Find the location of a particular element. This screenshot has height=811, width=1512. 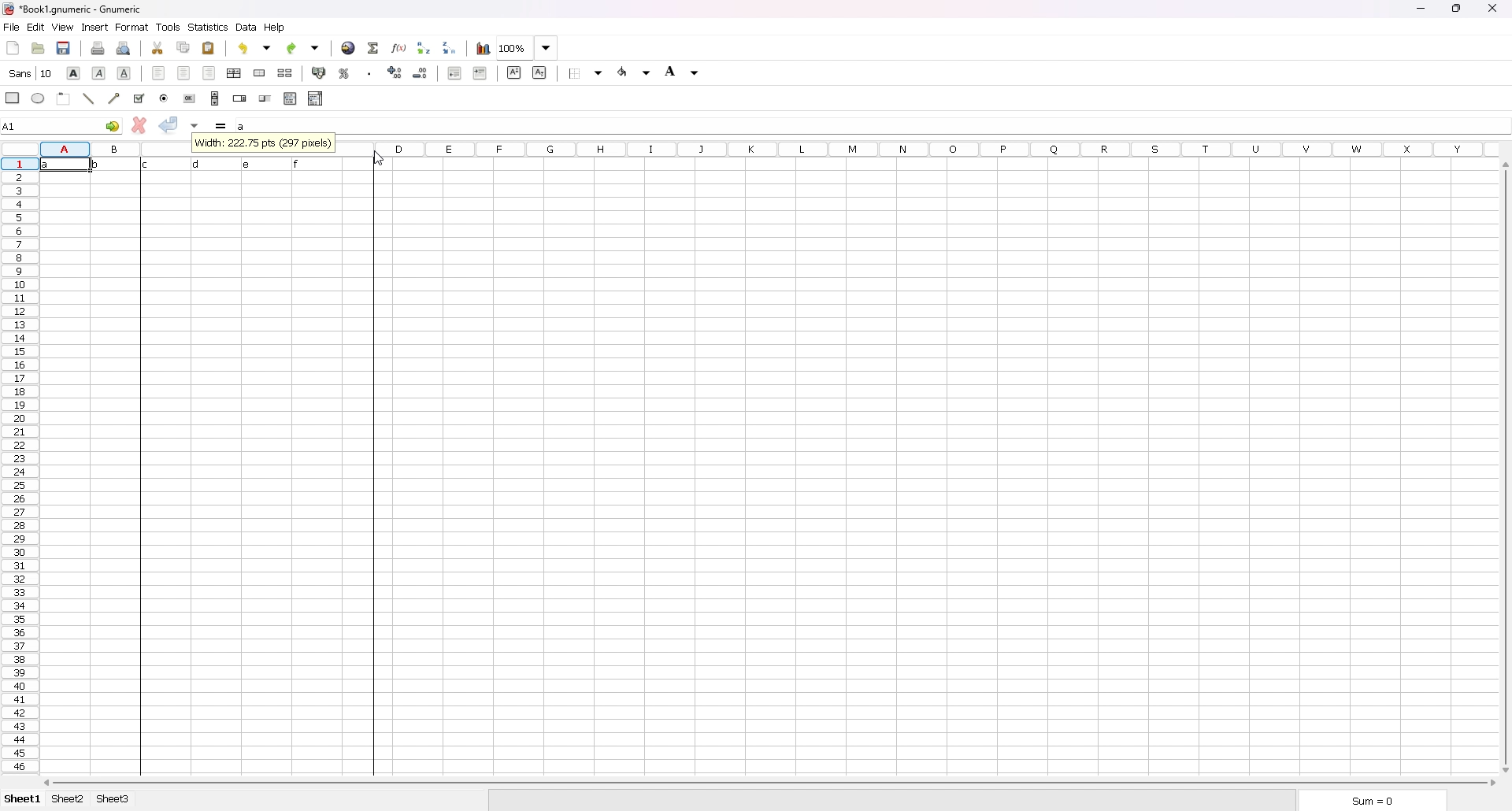

underline is located at coordinates (125, 73).